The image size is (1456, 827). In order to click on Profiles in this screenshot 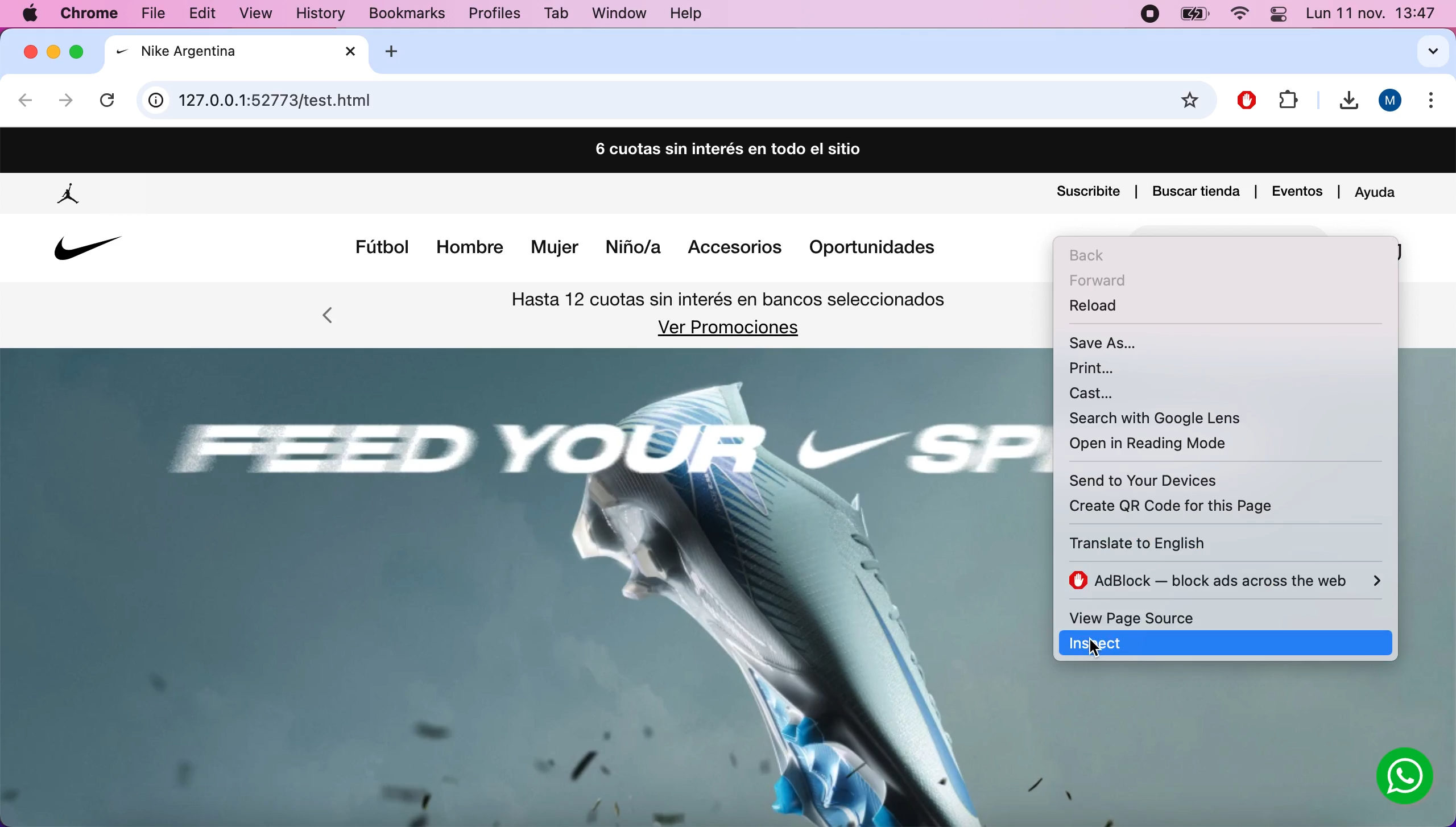, I will do `click(494, 14)`.